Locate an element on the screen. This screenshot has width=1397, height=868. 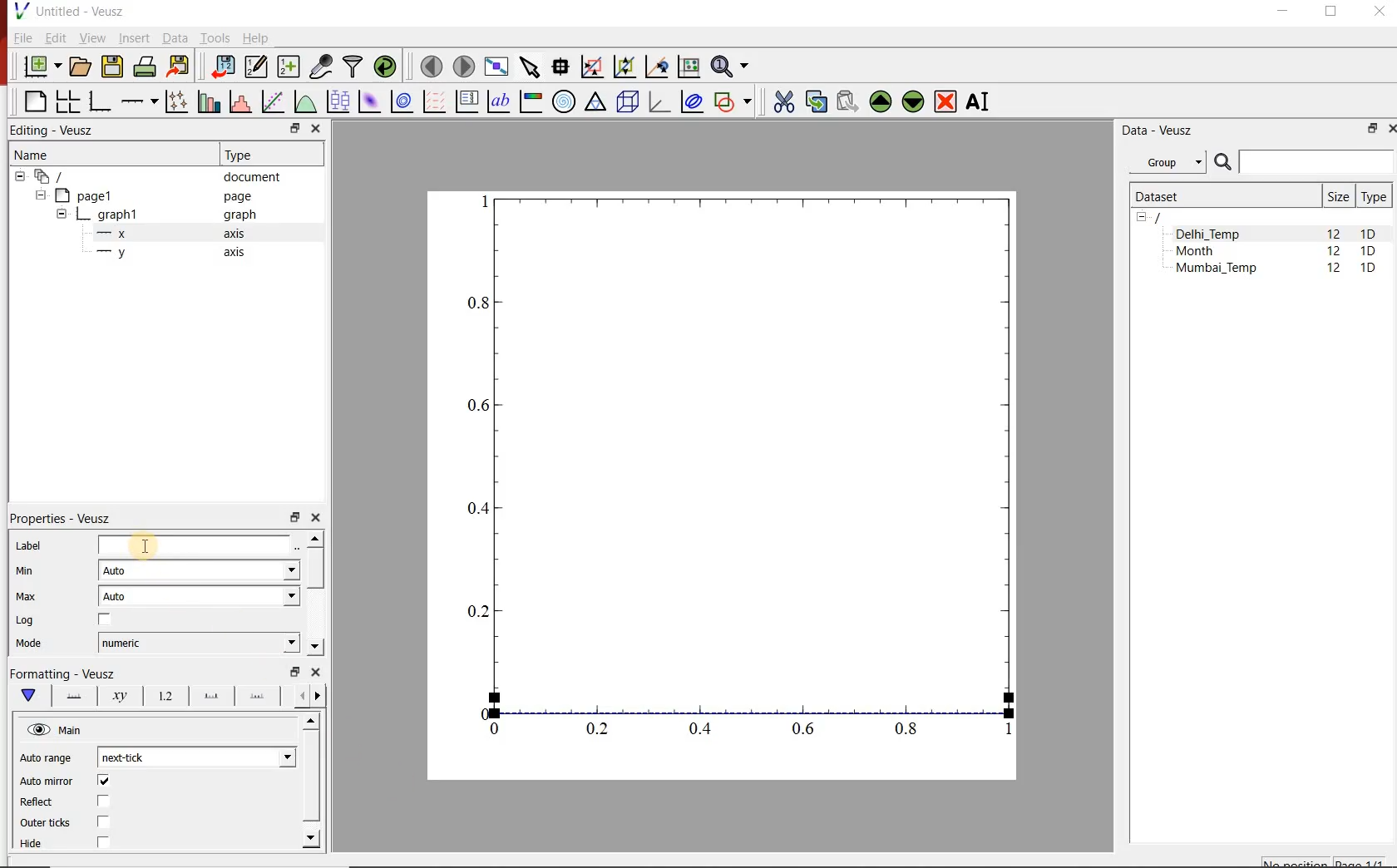
Month is located at coordinates (1207, 251).